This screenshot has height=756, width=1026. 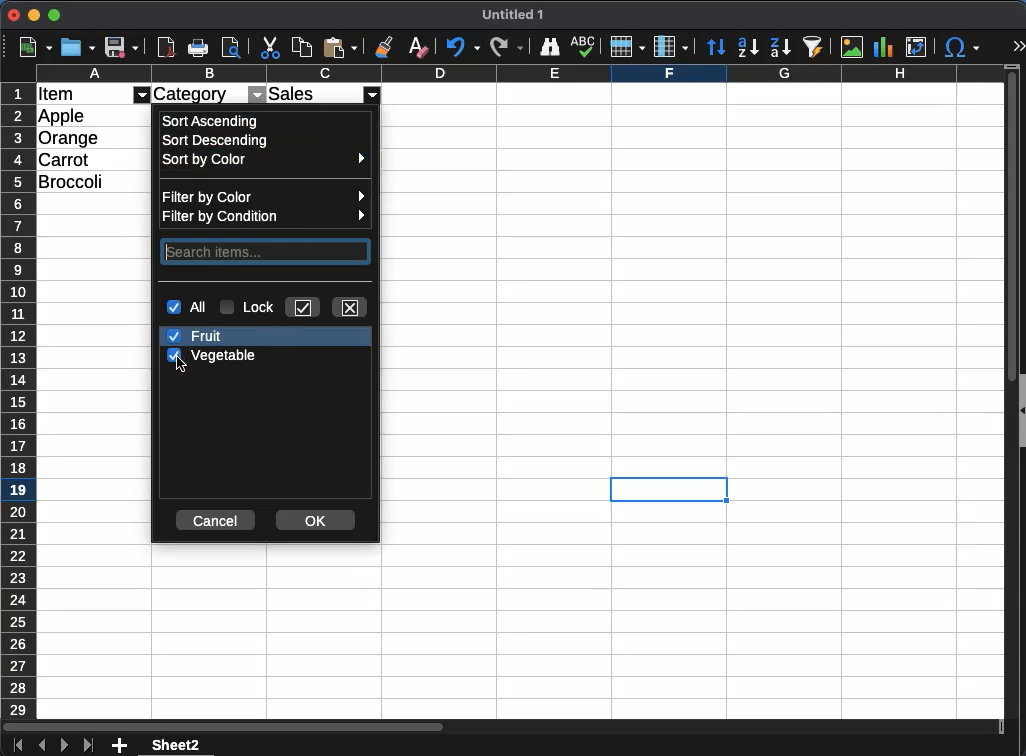 What do you see at coordinates (1020, 409) in the screenshot?
I see `collapse` at bounding box center [1020, 409].